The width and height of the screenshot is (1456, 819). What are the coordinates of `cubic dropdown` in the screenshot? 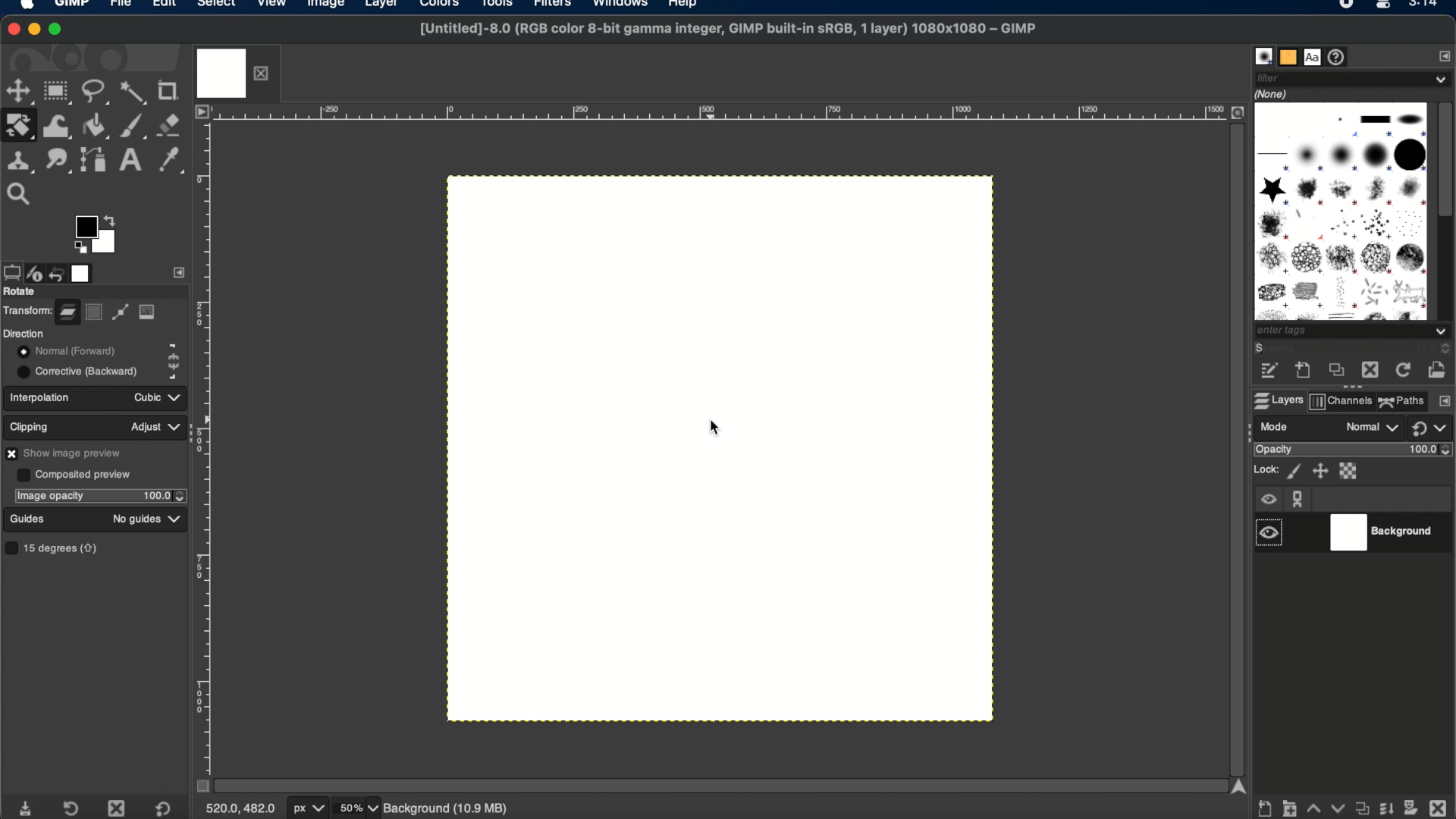 It's located at (153, 397).